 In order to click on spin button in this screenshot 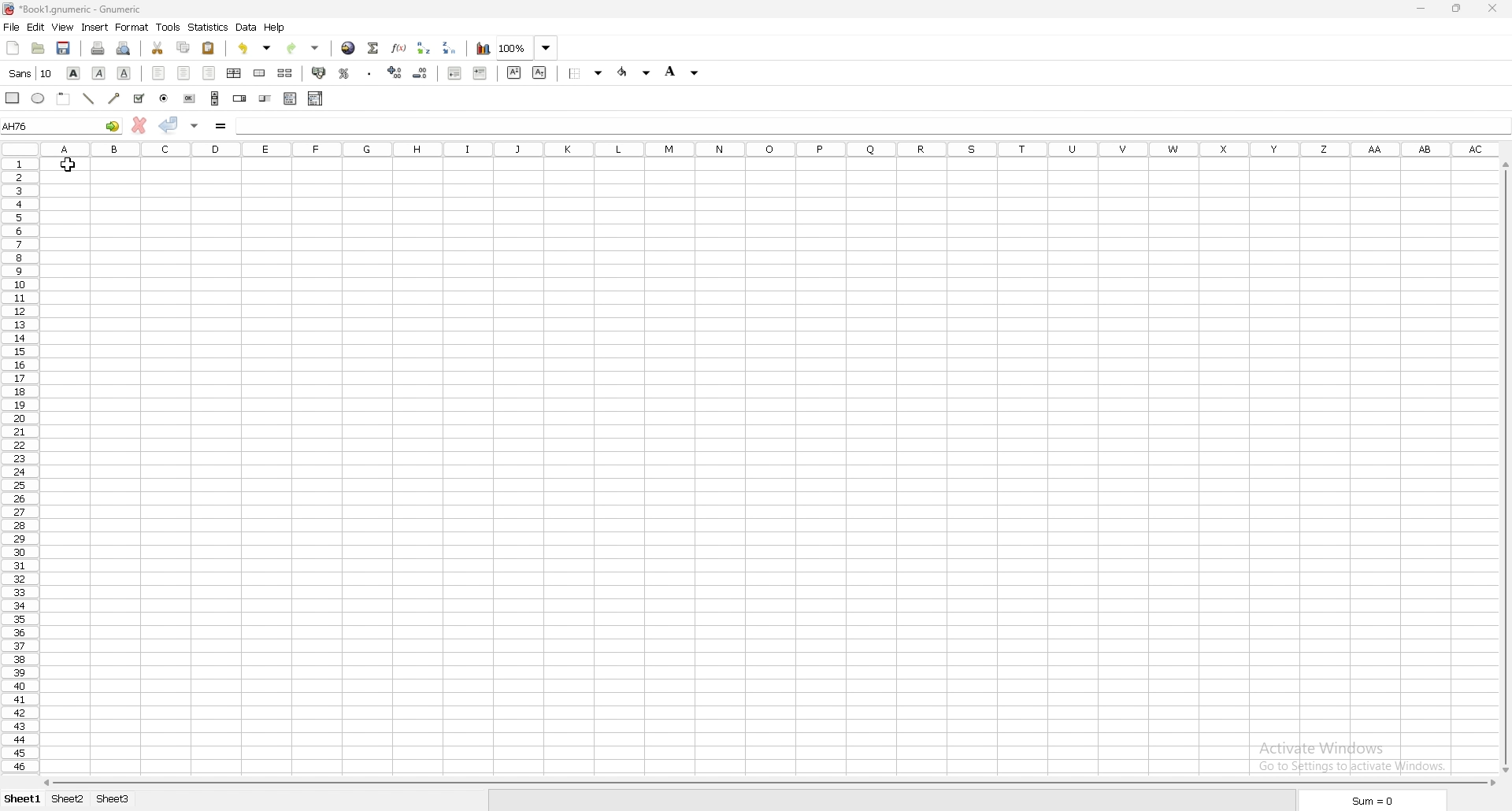, I will do `click(239, 97)`.